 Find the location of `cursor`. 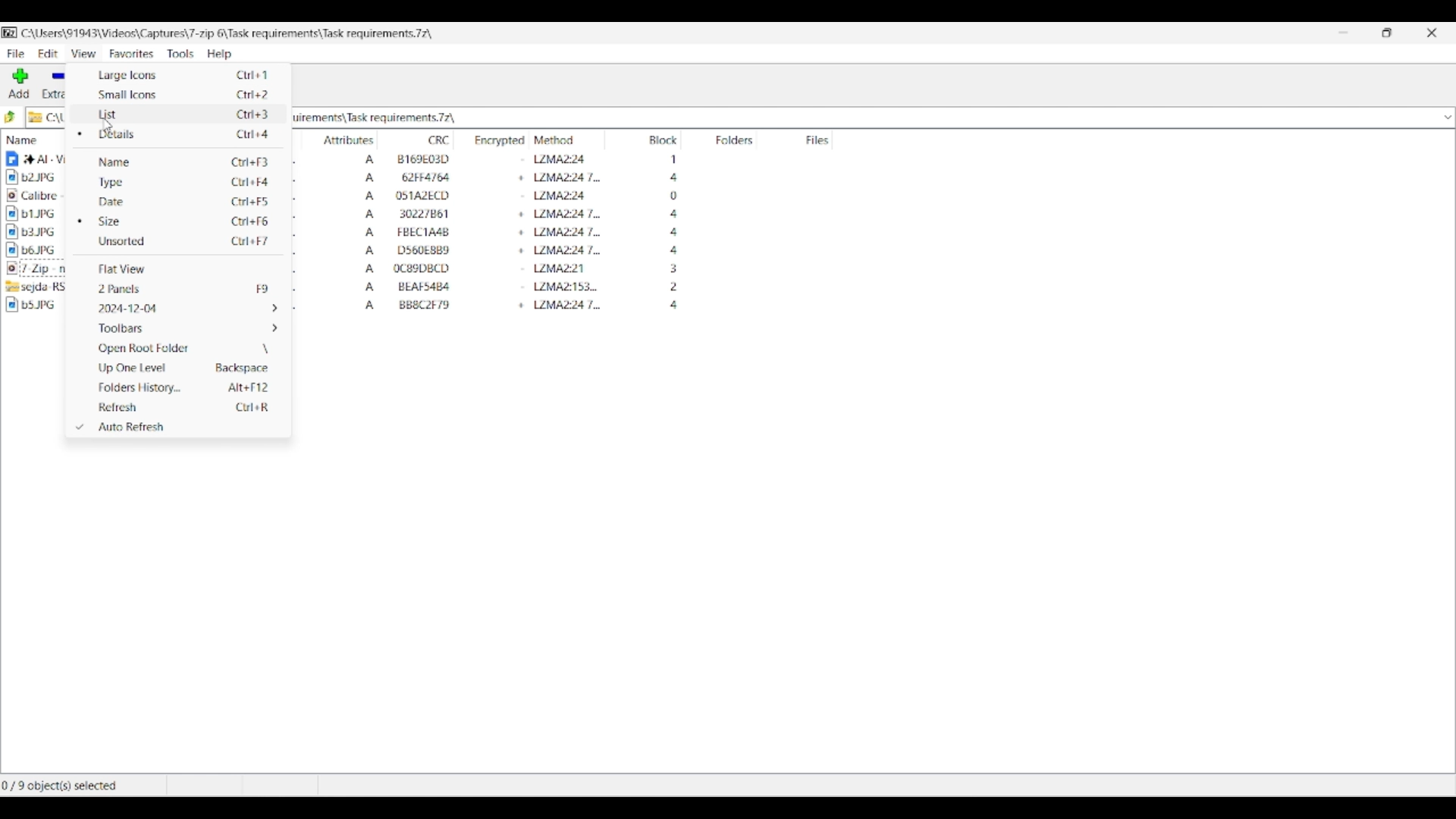

cursor is located at coordinates (107, 124).